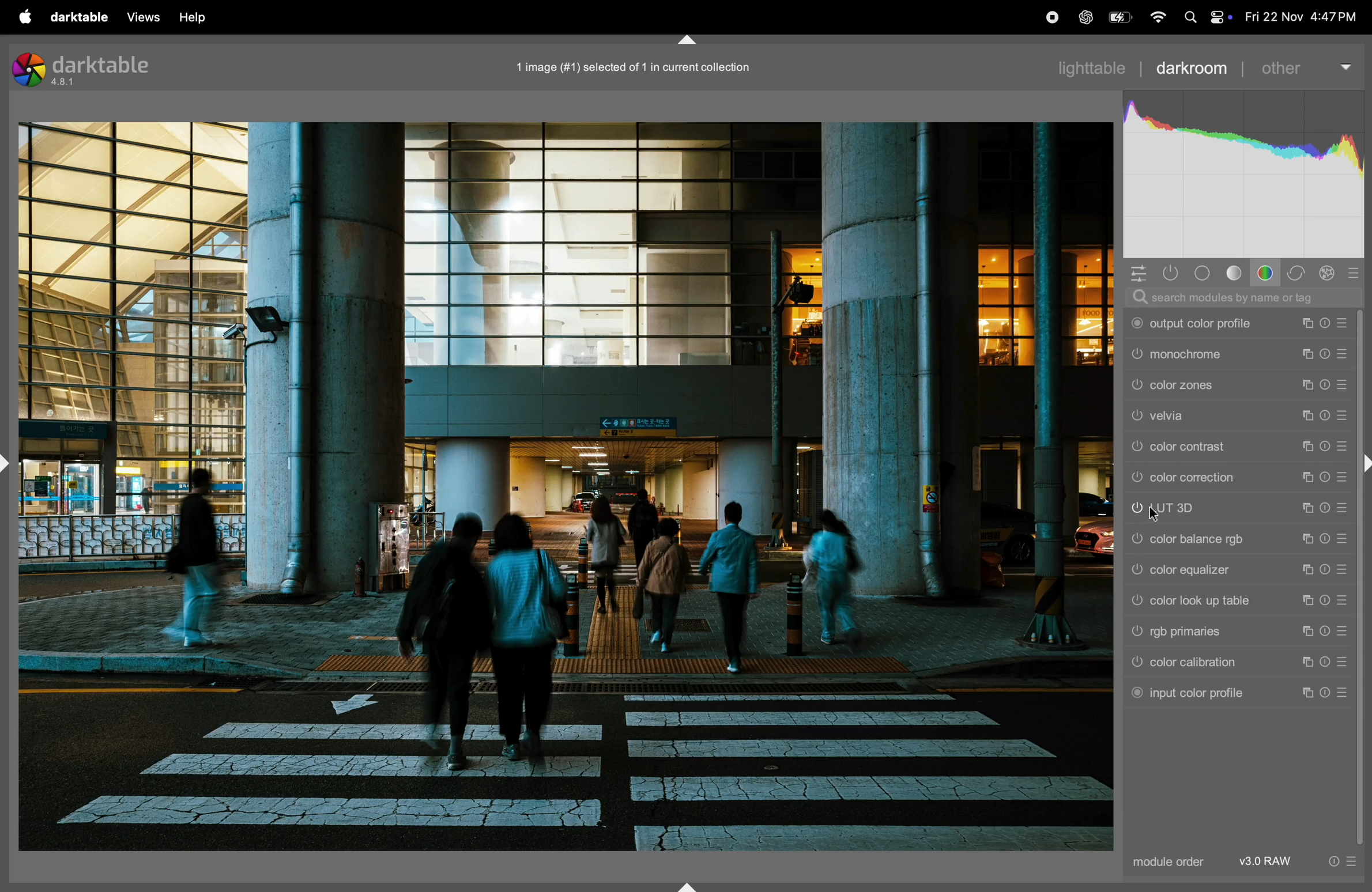 The width and height of the screenshot is (1372, 892). What do you see at coordinates (1305, 538) in the screenshot?
I see `multiple intance actions` at bounding box center [1305, 538].